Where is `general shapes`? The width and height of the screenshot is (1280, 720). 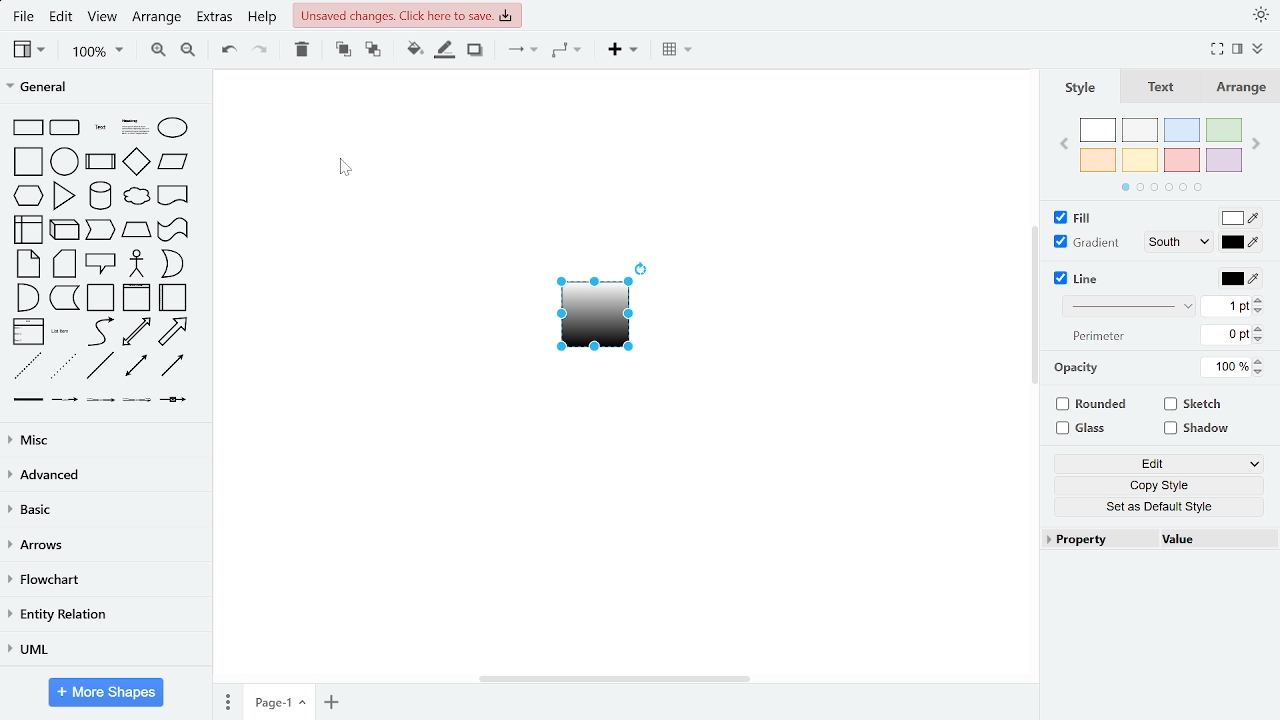
general shapes is located at coordinates (26, 194).